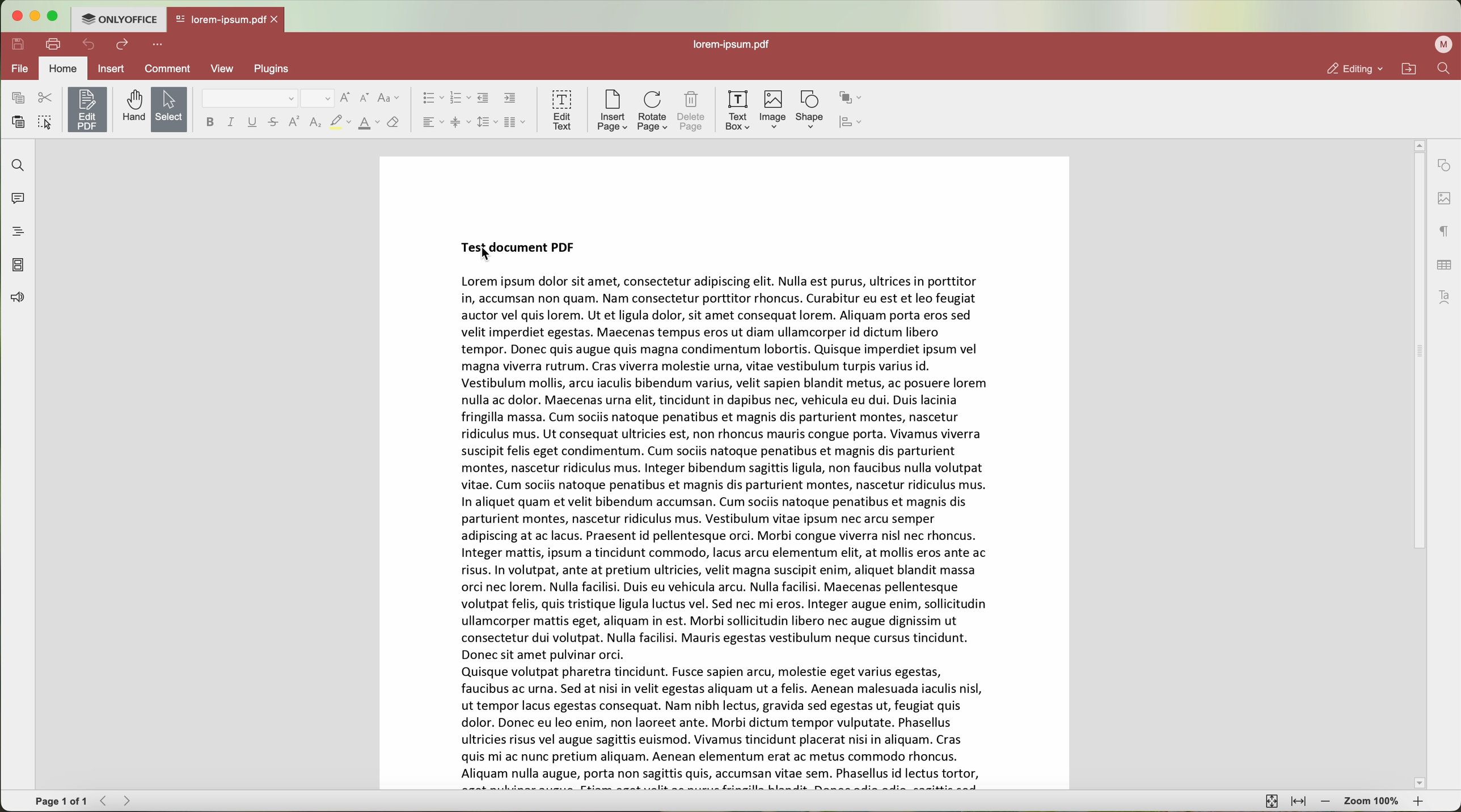 This screenshot has height=812, width=1461. Describe the element at coordinates (433, 99) in the screenshot. I see `bulleted` at that location.